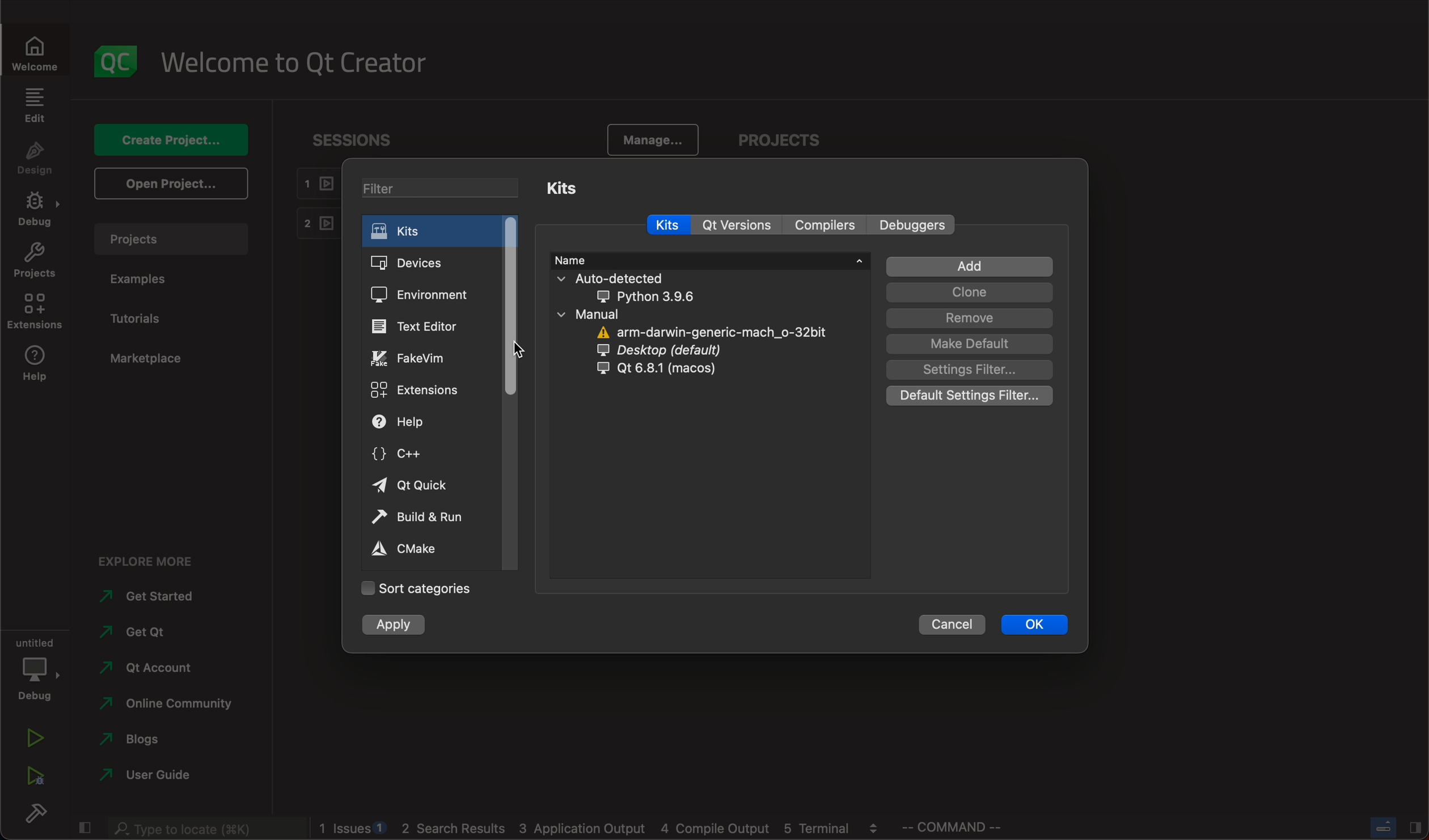  What do you see at coordinates (425, 326) in the screenshot?
I see `text editor` at bounding box center [425, 326].